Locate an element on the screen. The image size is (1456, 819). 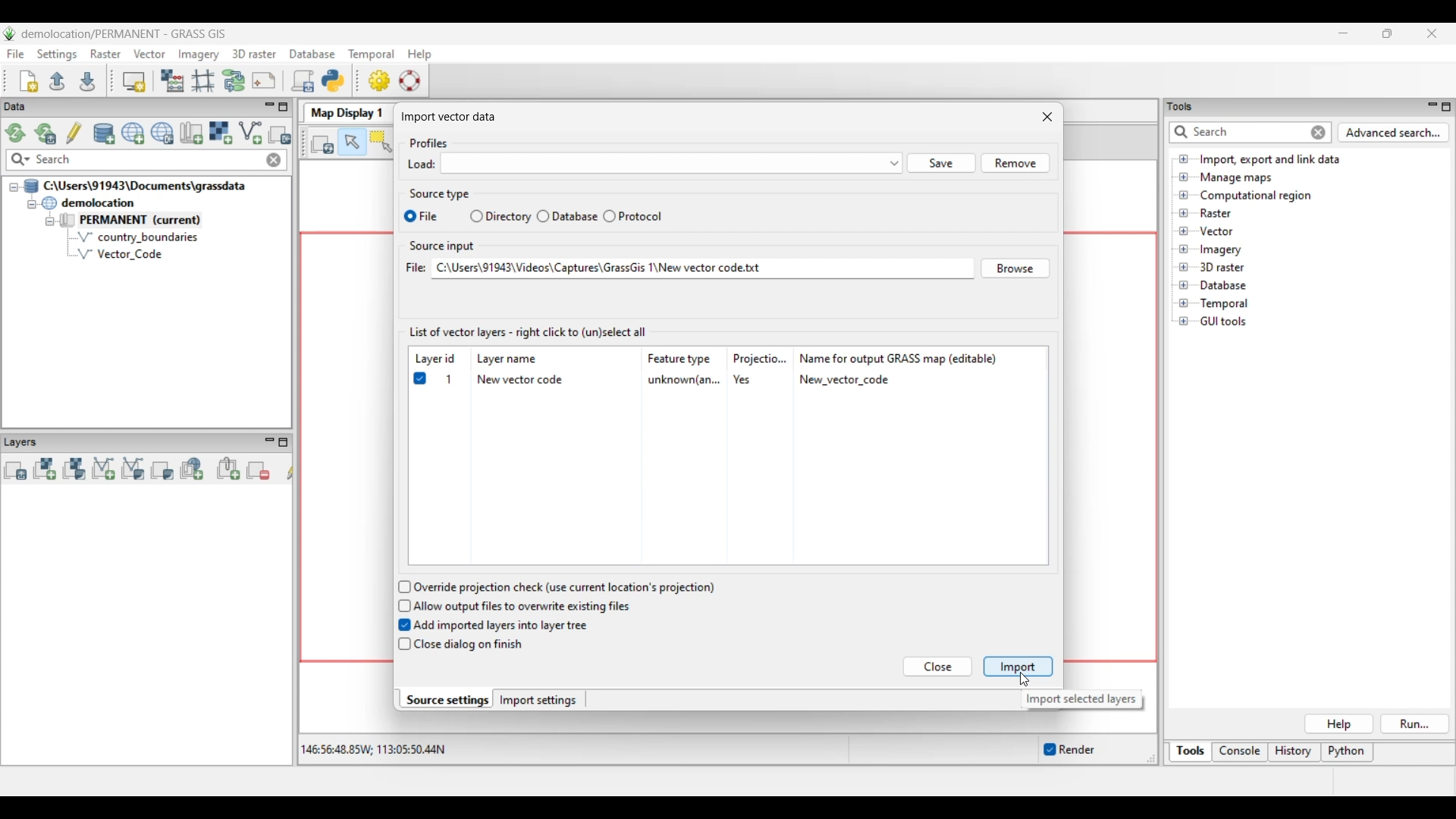
Run is located at coordinates (1416, 724).